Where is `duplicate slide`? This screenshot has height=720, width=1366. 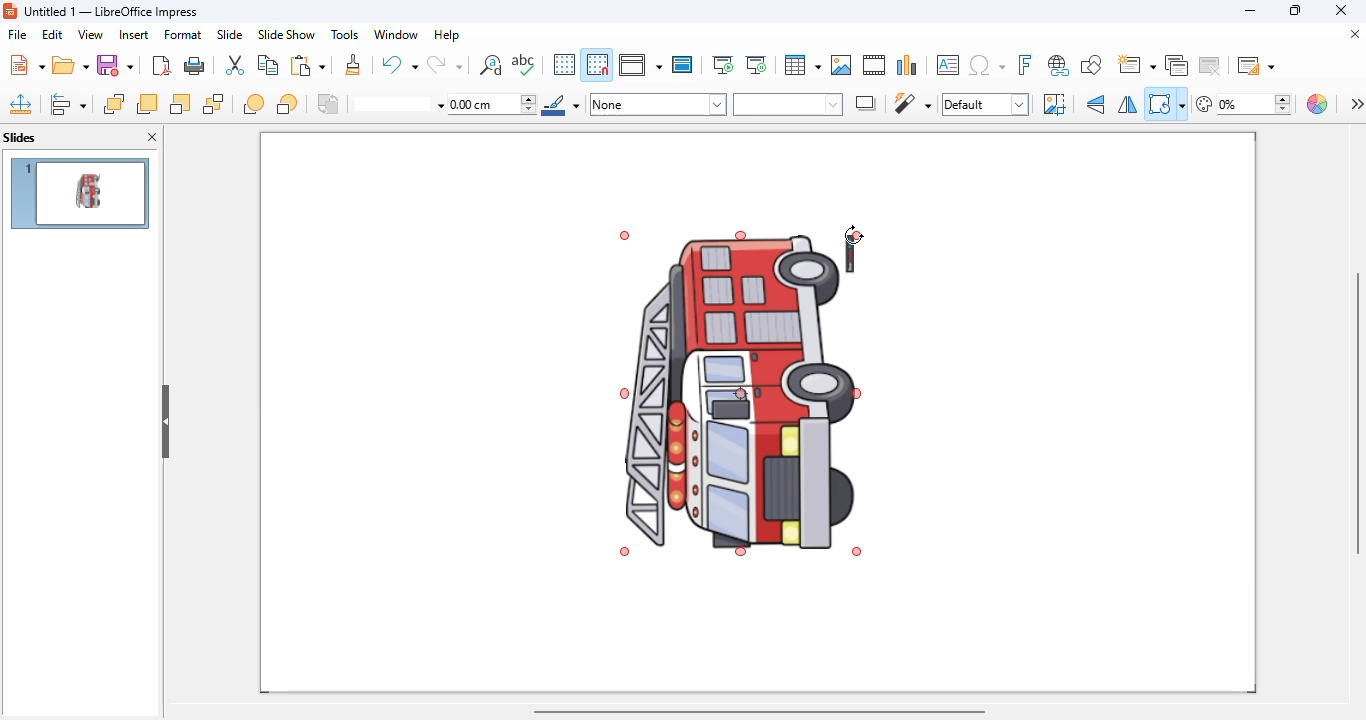 duplicate slide is located at coordinates (1177, 65).